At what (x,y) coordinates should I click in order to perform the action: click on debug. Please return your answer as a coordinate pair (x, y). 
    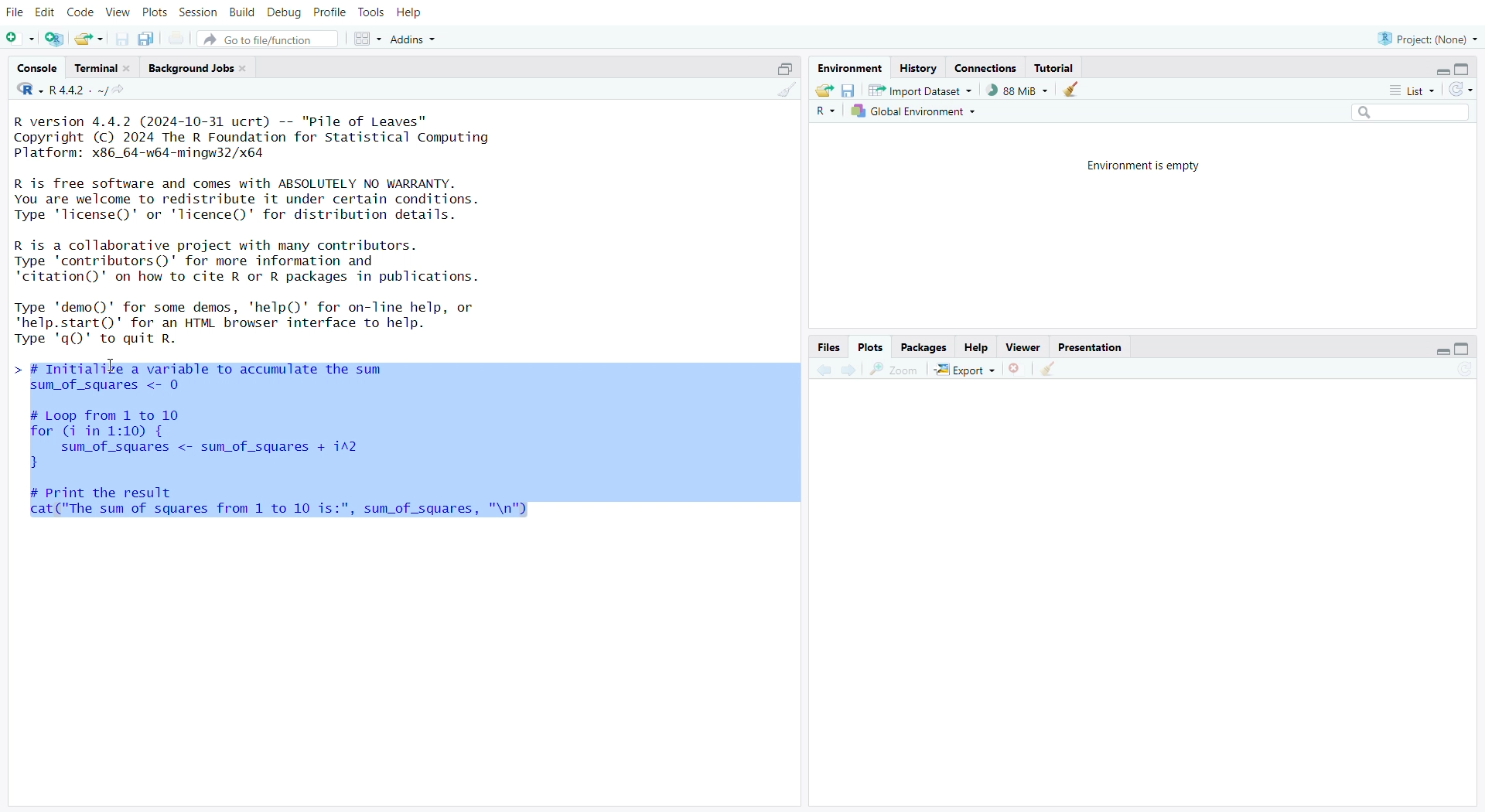
    Looking at the image, I should click on (282, 14).